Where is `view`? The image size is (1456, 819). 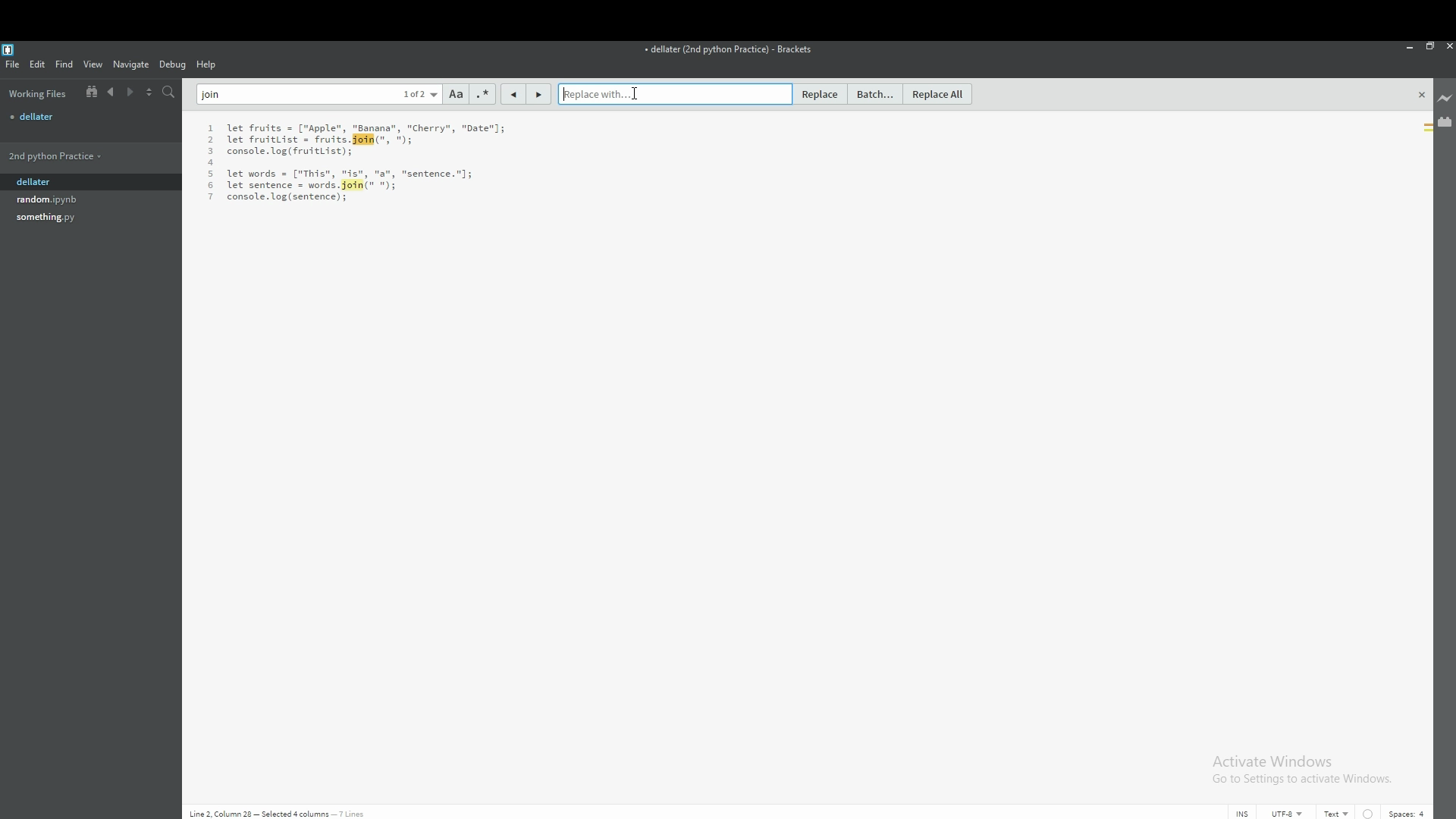 view is located at coordinates (93, 64).